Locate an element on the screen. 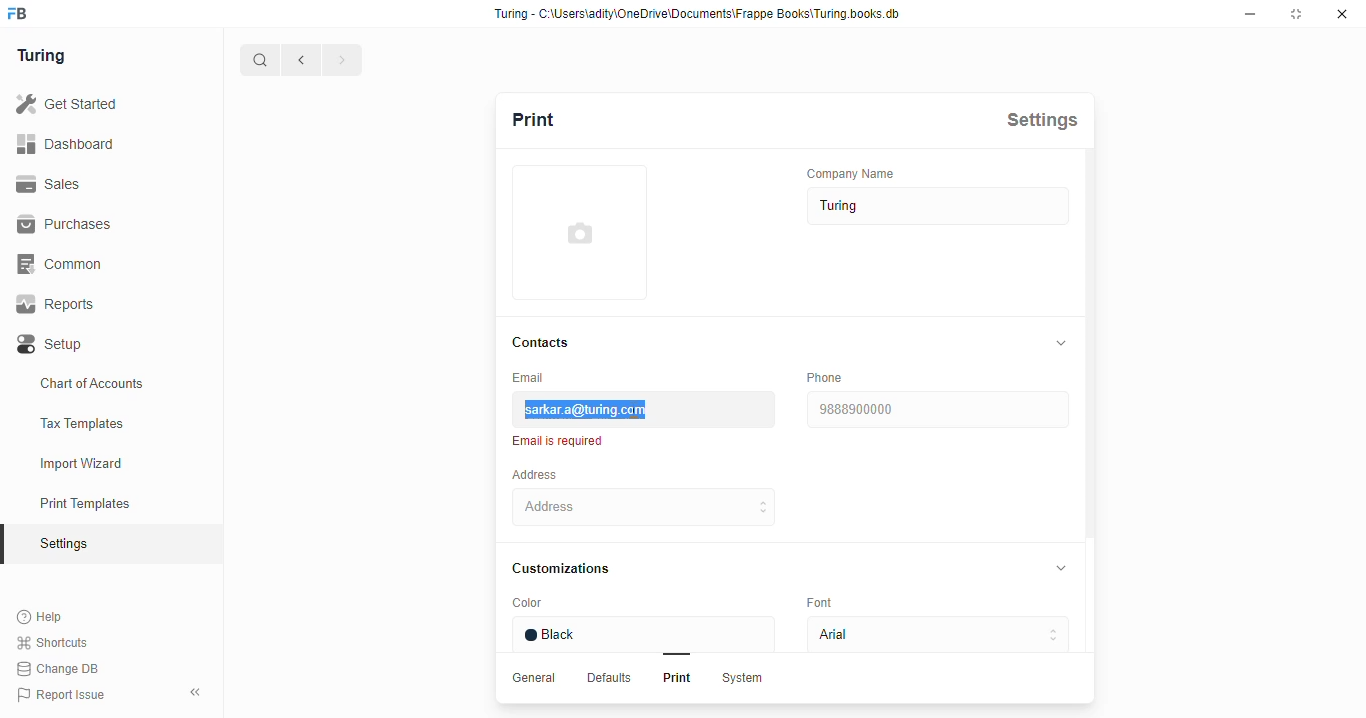 The image size is (1366, 718). Print Templates is located at coordinates (106, 503).